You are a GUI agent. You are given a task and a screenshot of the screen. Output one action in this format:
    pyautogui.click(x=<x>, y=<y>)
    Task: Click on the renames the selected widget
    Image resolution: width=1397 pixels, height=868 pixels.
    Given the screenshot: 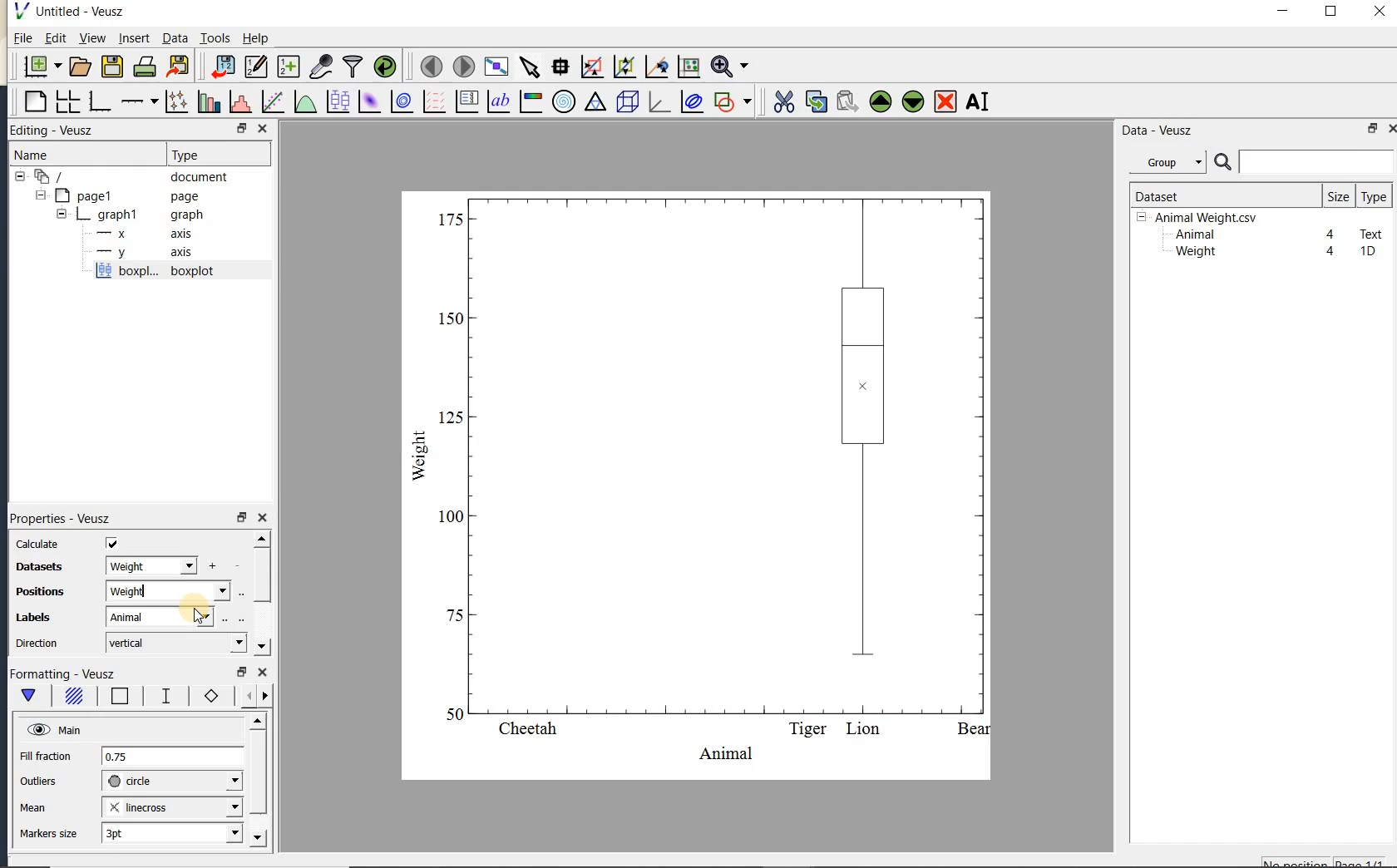 What is the action you would take?
    pyautogui.click(x=976, y=101)
    